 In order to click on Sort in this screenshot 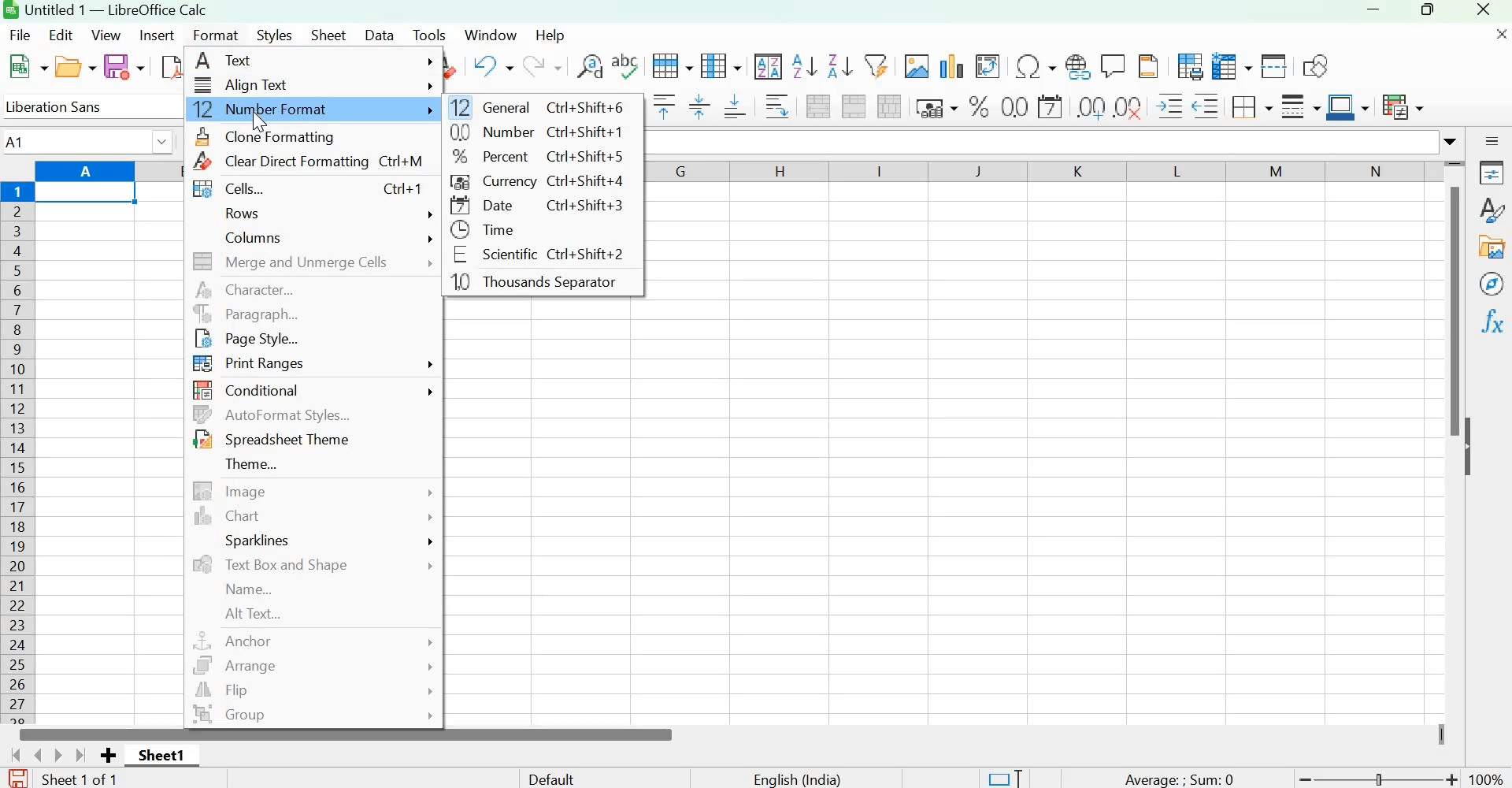, I will do `click(769, 66)`.